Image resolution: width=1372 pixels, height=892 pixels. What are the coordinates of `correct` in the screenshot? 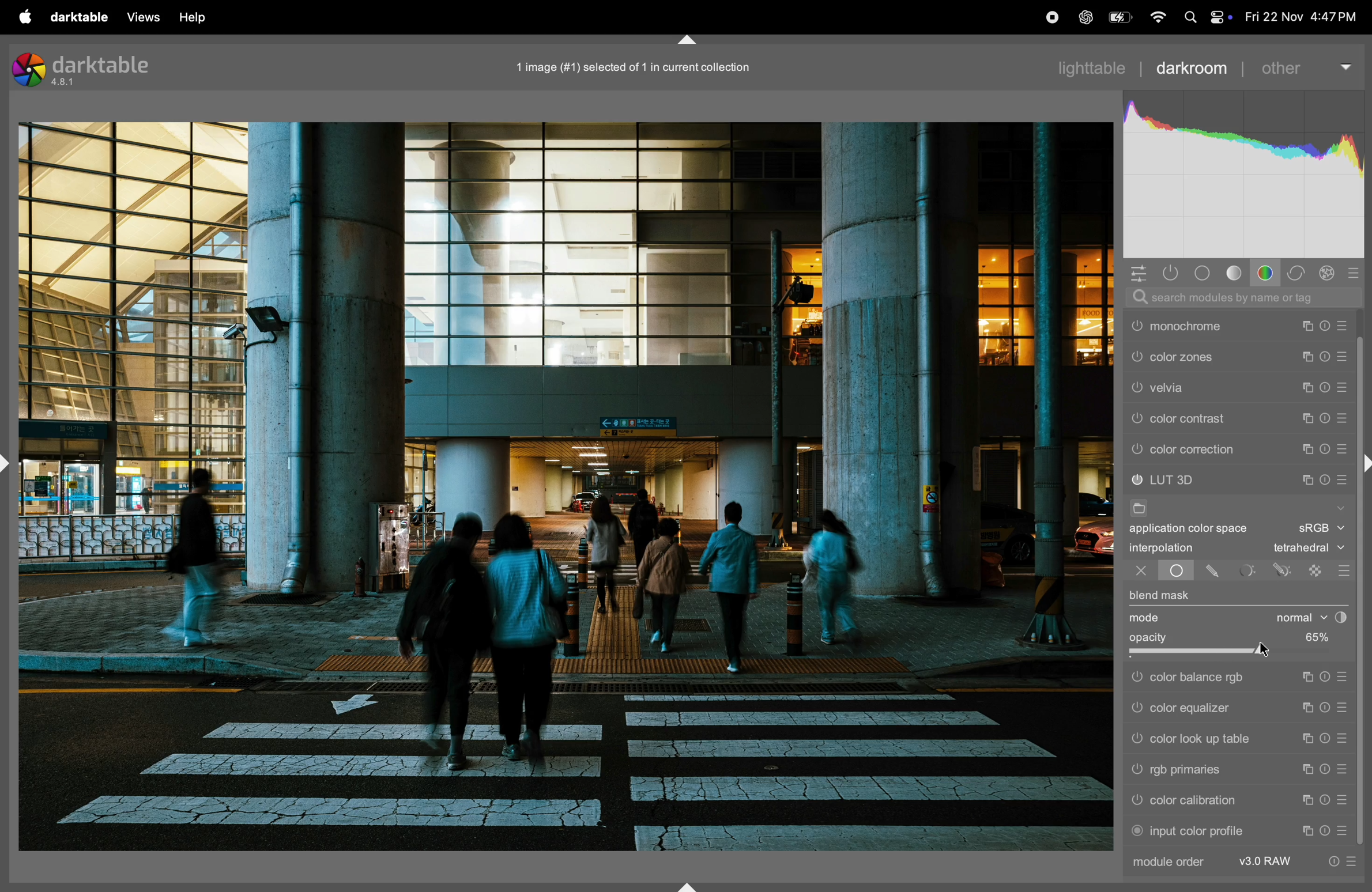 It's located at (1297, 272).